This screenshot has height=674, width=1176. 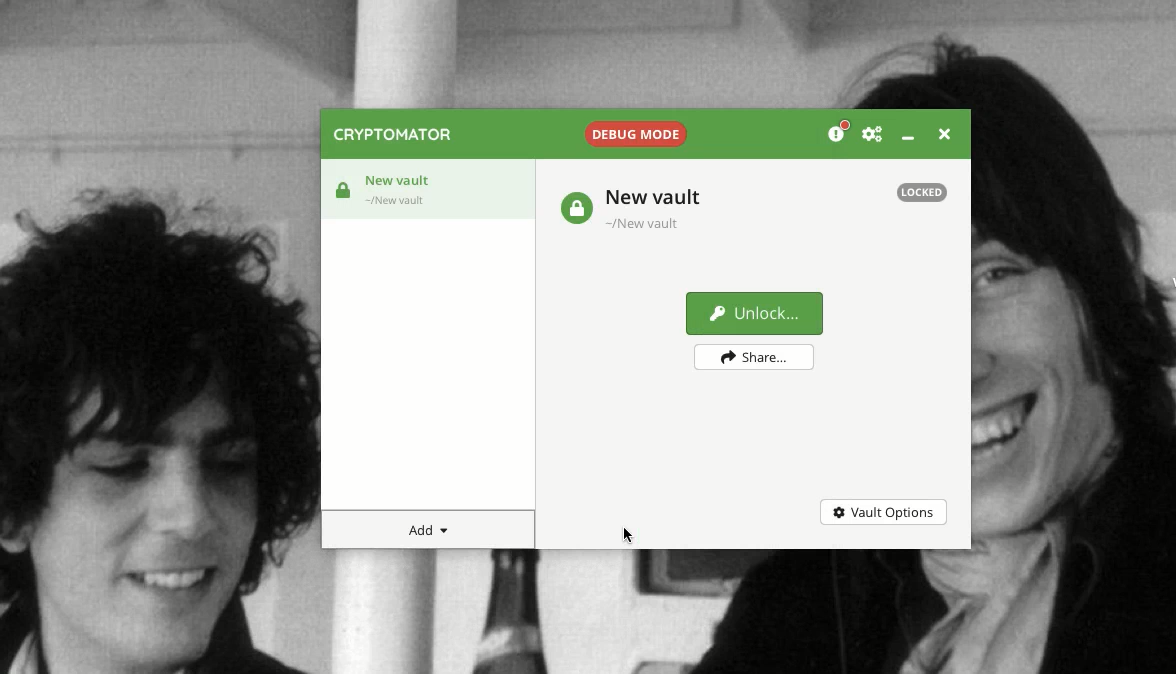 I want to click on New vault ~/New vault, so click(x=659, y=210).